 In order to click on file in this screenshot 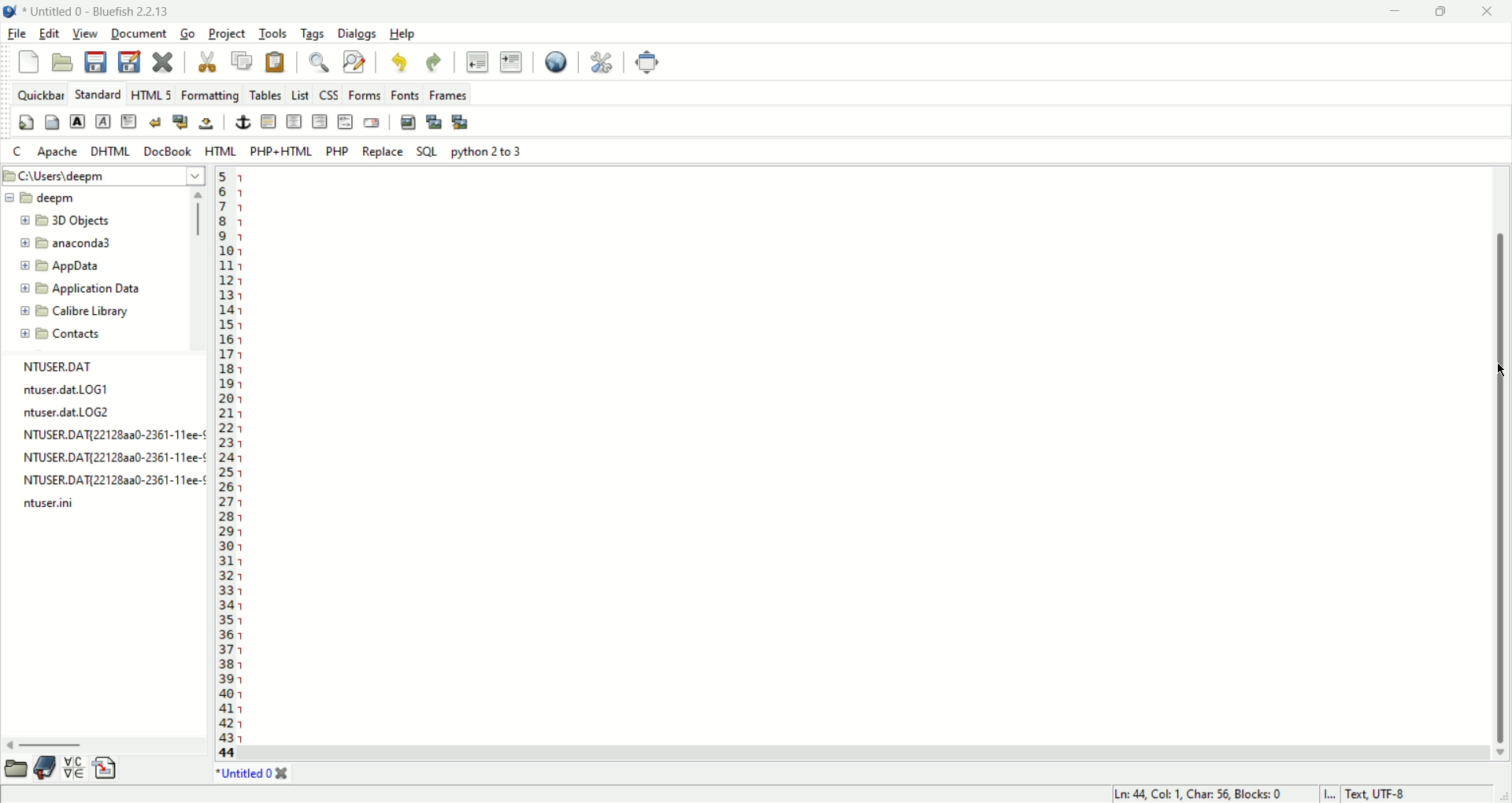, I will do `click(16, 35)`.